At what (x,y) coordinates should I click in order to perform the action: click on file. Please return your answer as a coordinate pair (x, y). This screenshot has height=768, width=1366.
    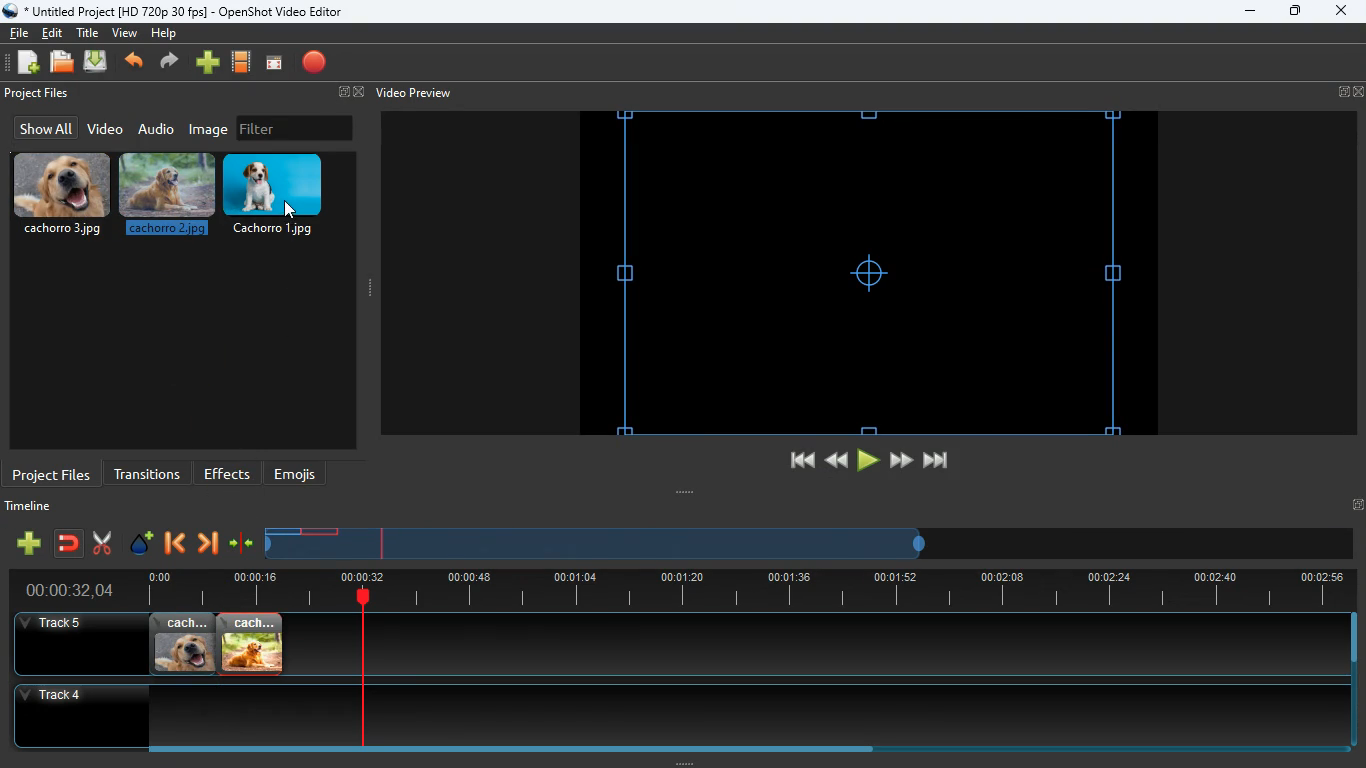
    Looking at the image, I should click on (19, 31).